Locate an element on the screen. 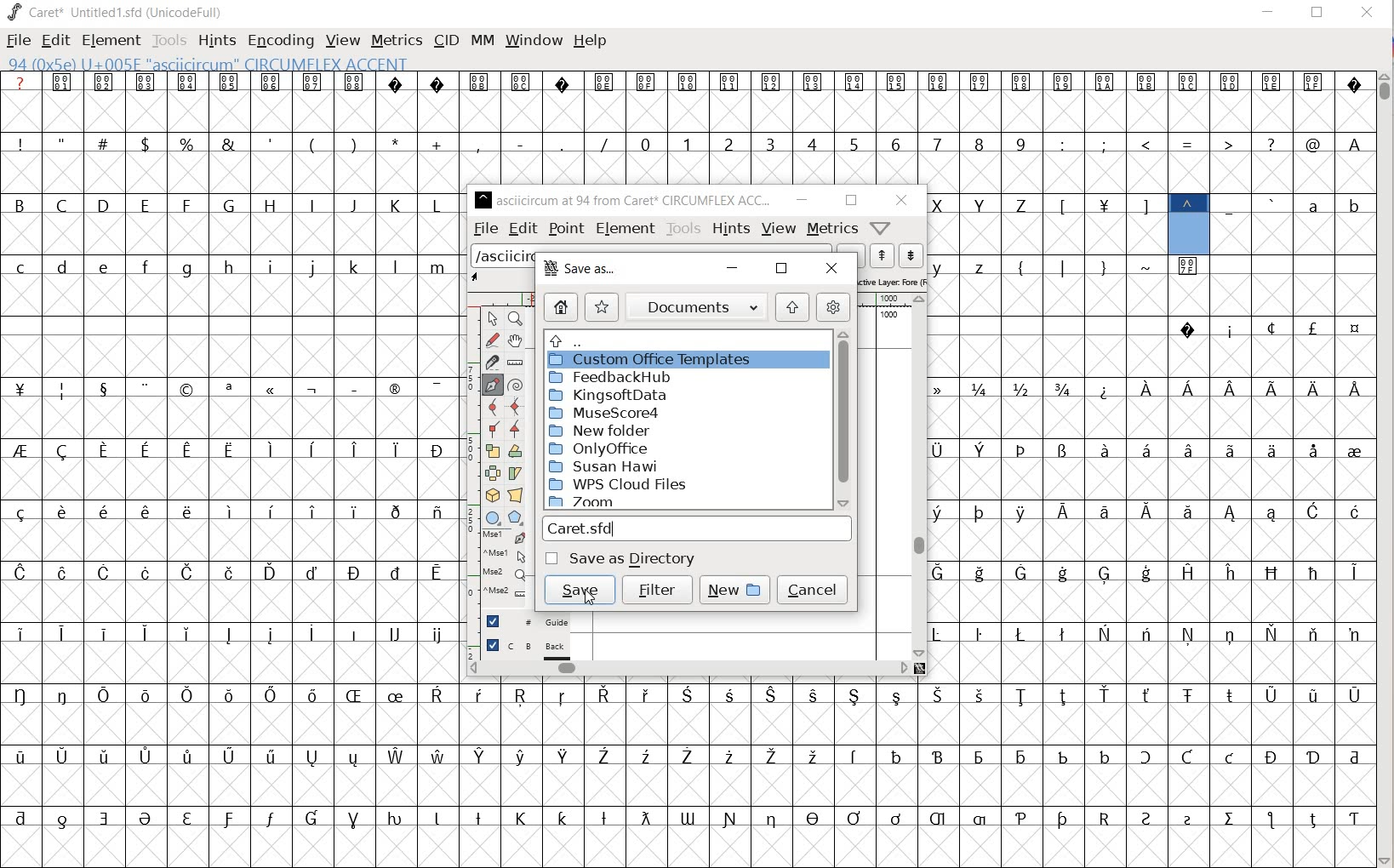  close is located at coordinates (835, 268).